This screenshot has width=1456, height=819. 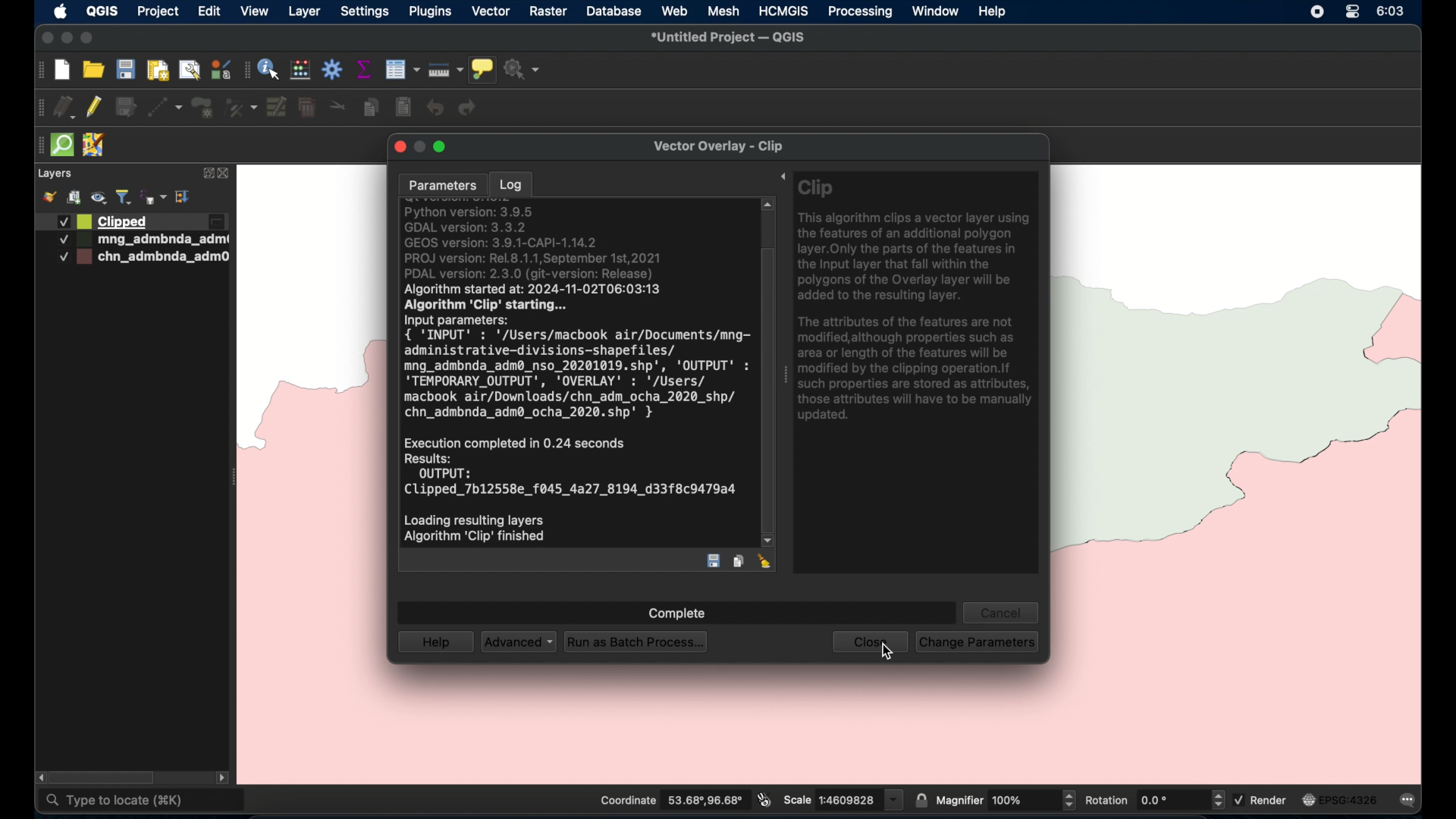 What do you see at coordinates (100, 221) in the screenshot?
I see `clipped layer` at bounding box center [100, 221].